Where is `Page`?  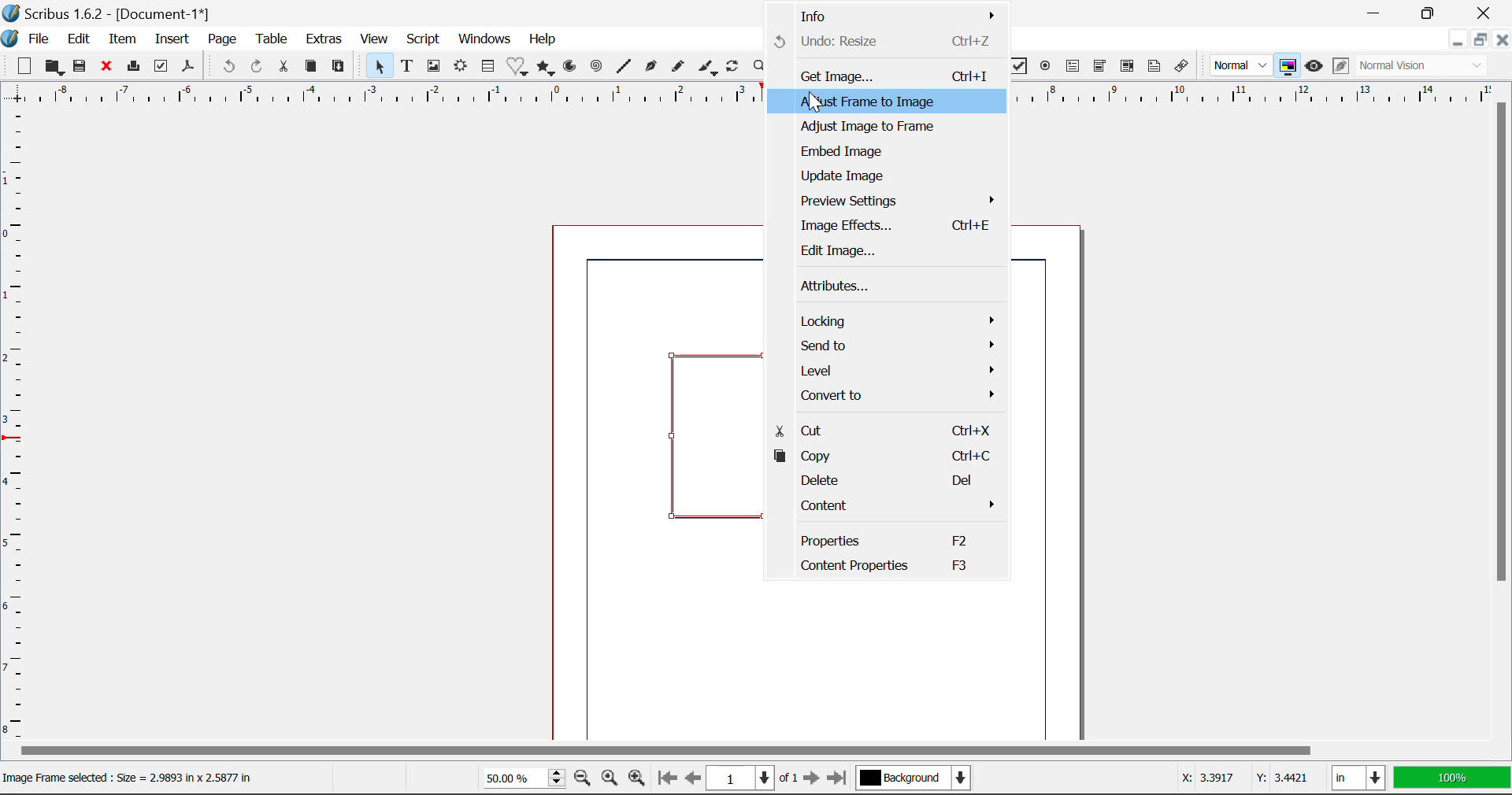
Page is located at coordinates (221, 39).